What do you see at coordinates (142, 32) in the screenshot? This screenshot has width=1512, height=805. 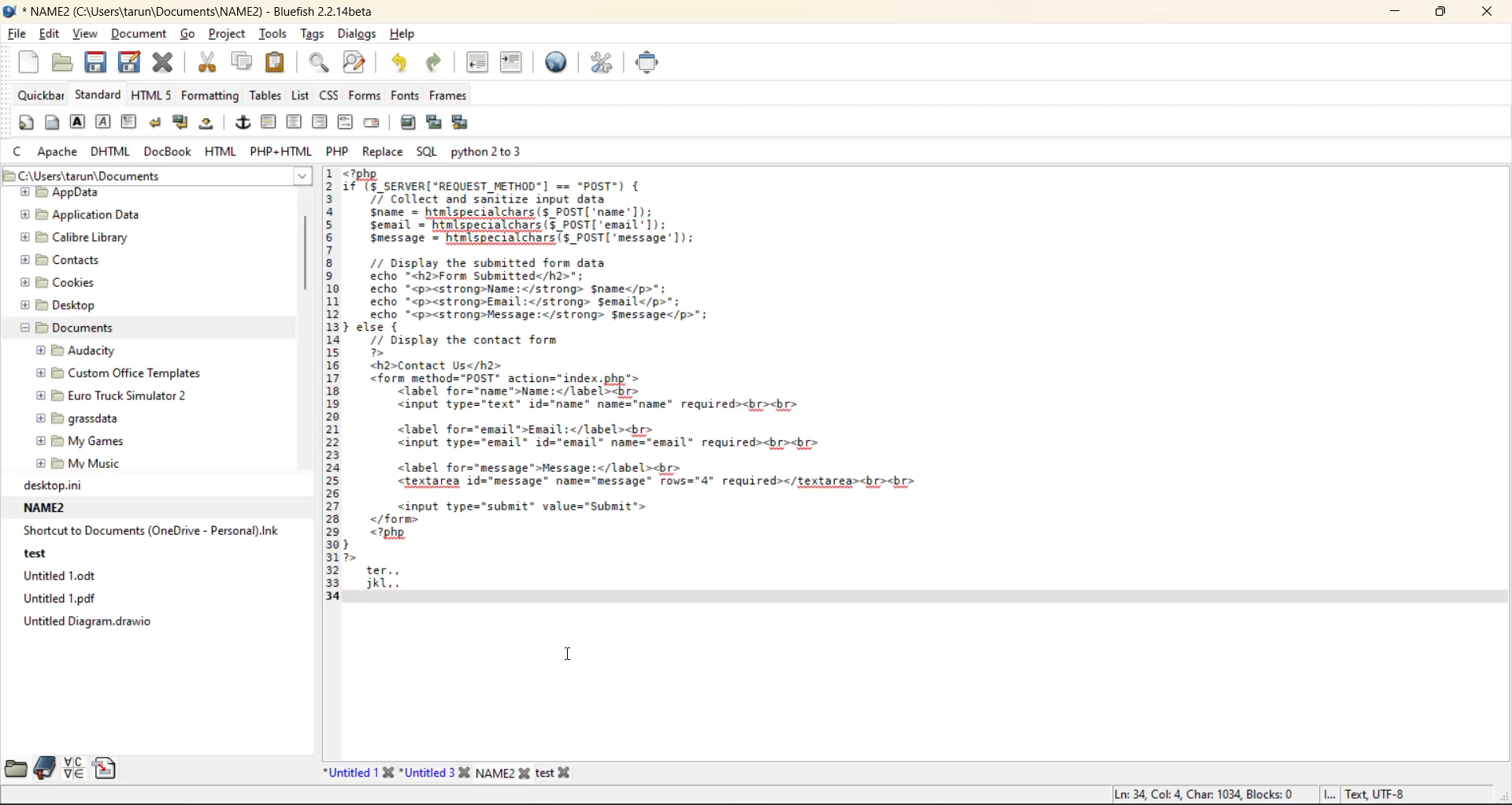 I see `document` at bounding box center [142, 32].